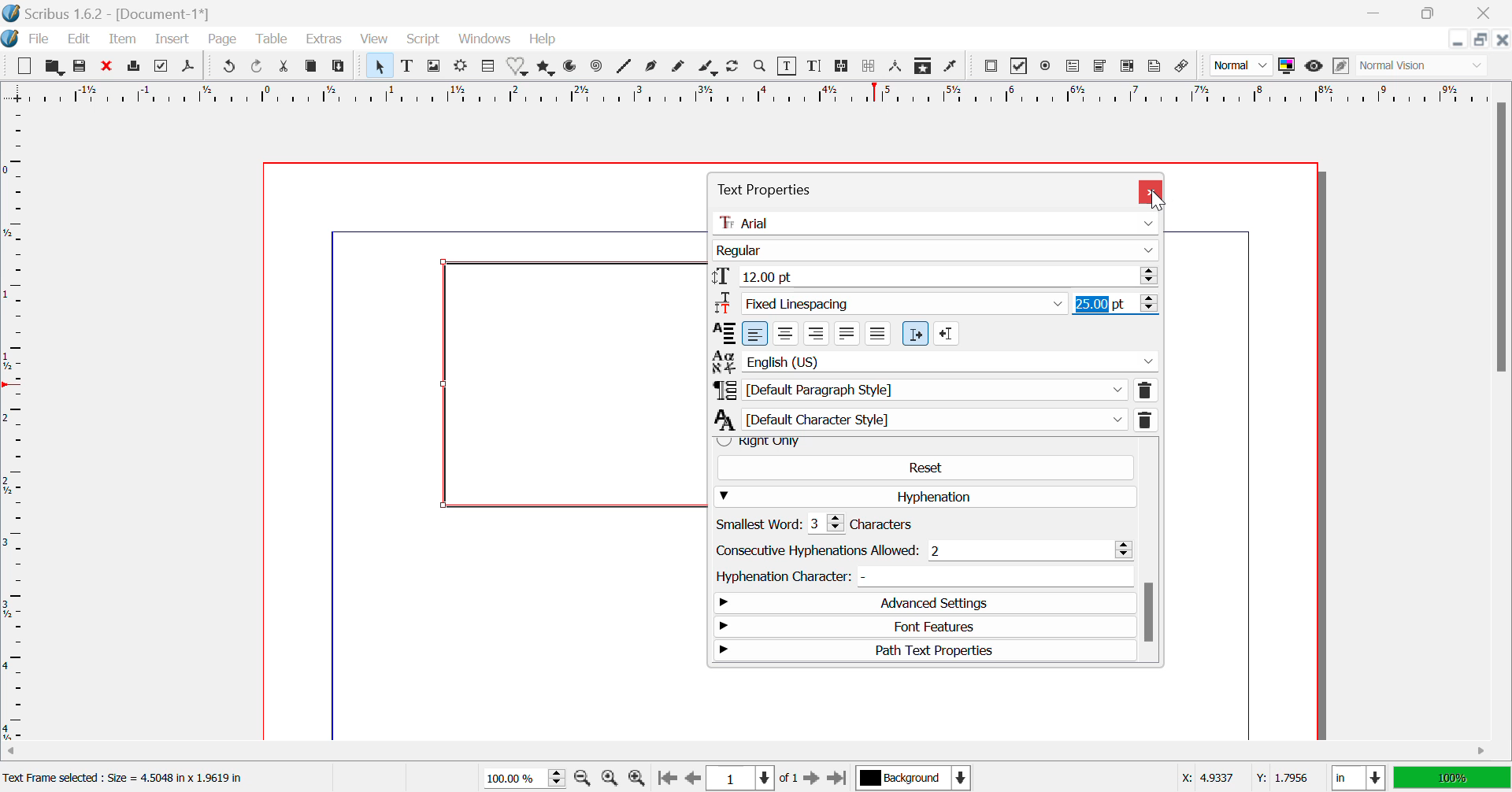  Describe the element at coordinates (272, 41) in the screenshot. I see `Table` at that location.